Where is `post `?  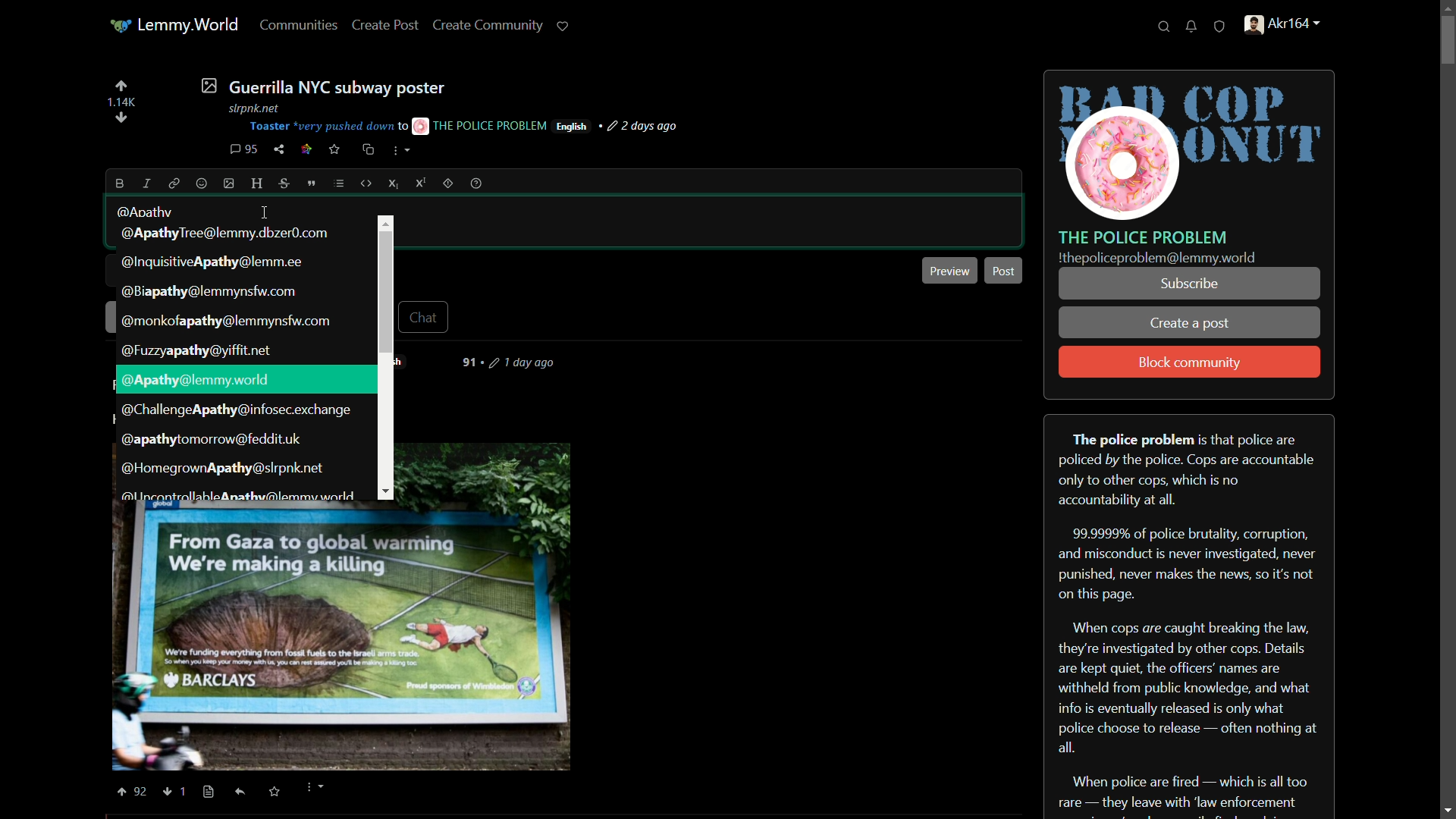 post  is located at coordinates (1006, 269).